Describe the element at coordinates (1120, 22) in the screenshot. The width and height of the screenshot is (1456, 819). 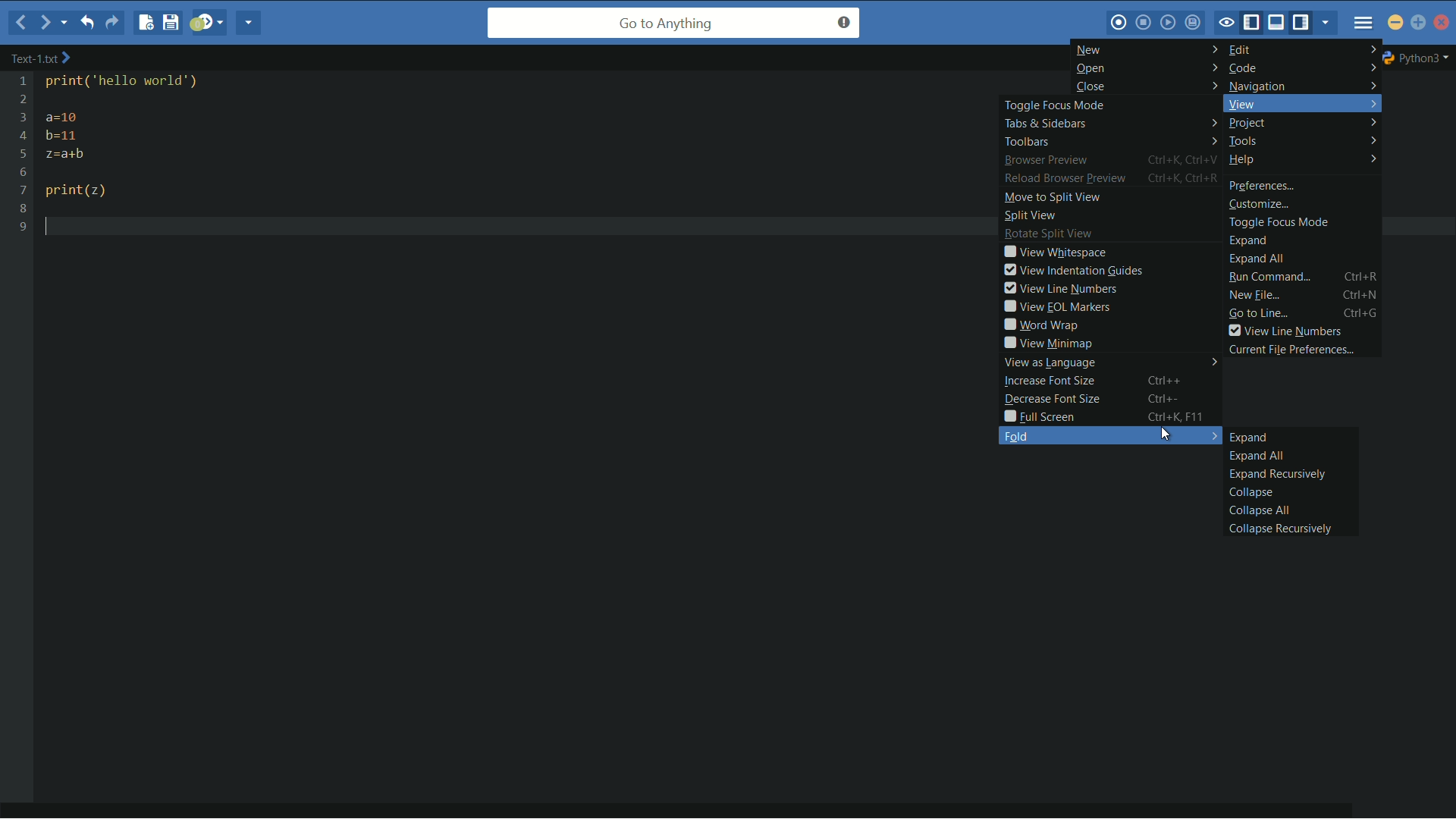
I see `record macro` at that location.